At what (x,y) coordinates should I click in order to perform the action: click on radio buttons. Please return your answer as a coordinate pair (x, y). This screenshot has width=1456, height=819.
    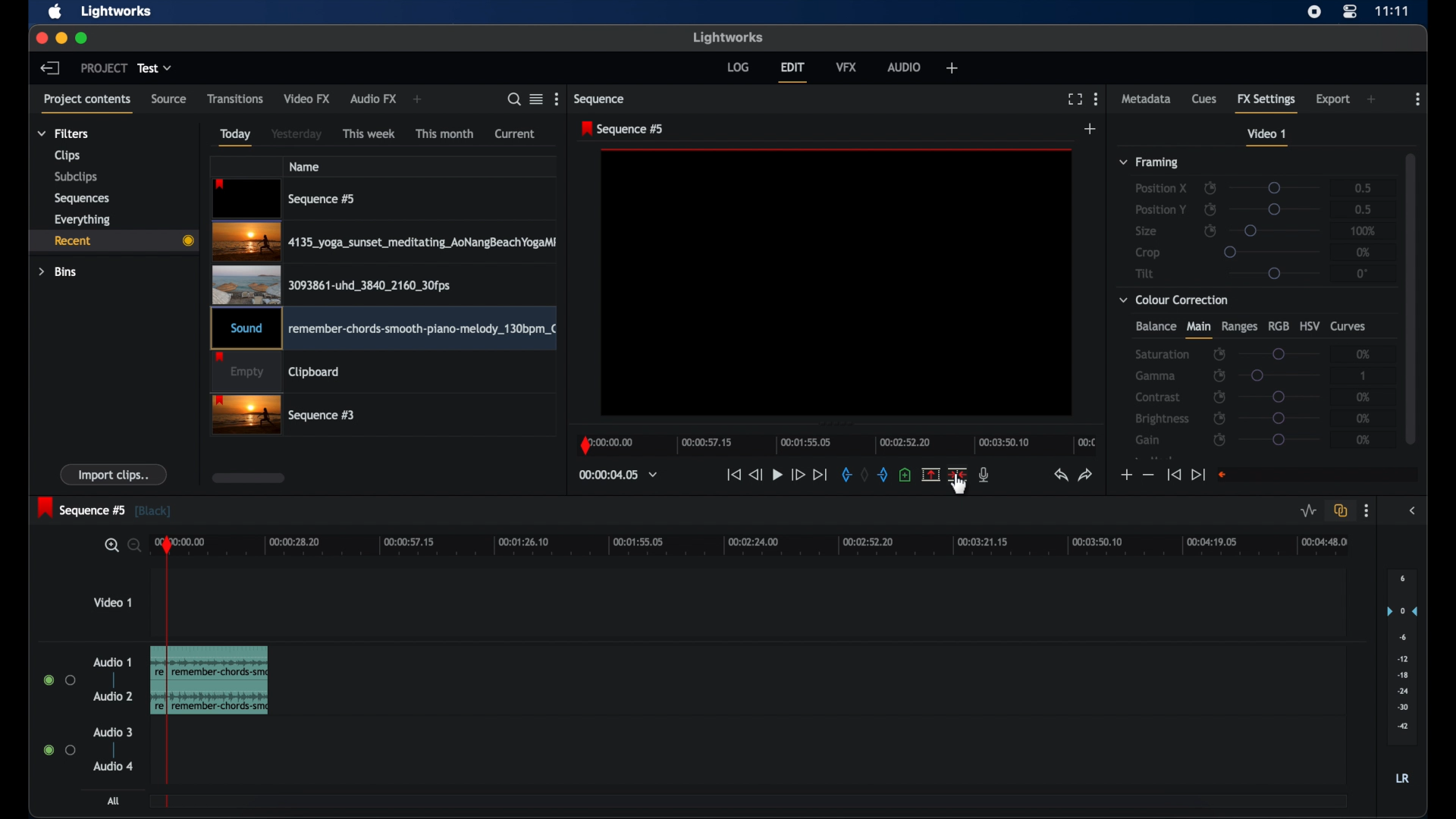
    Looking at the image, I should click on (60, 679).